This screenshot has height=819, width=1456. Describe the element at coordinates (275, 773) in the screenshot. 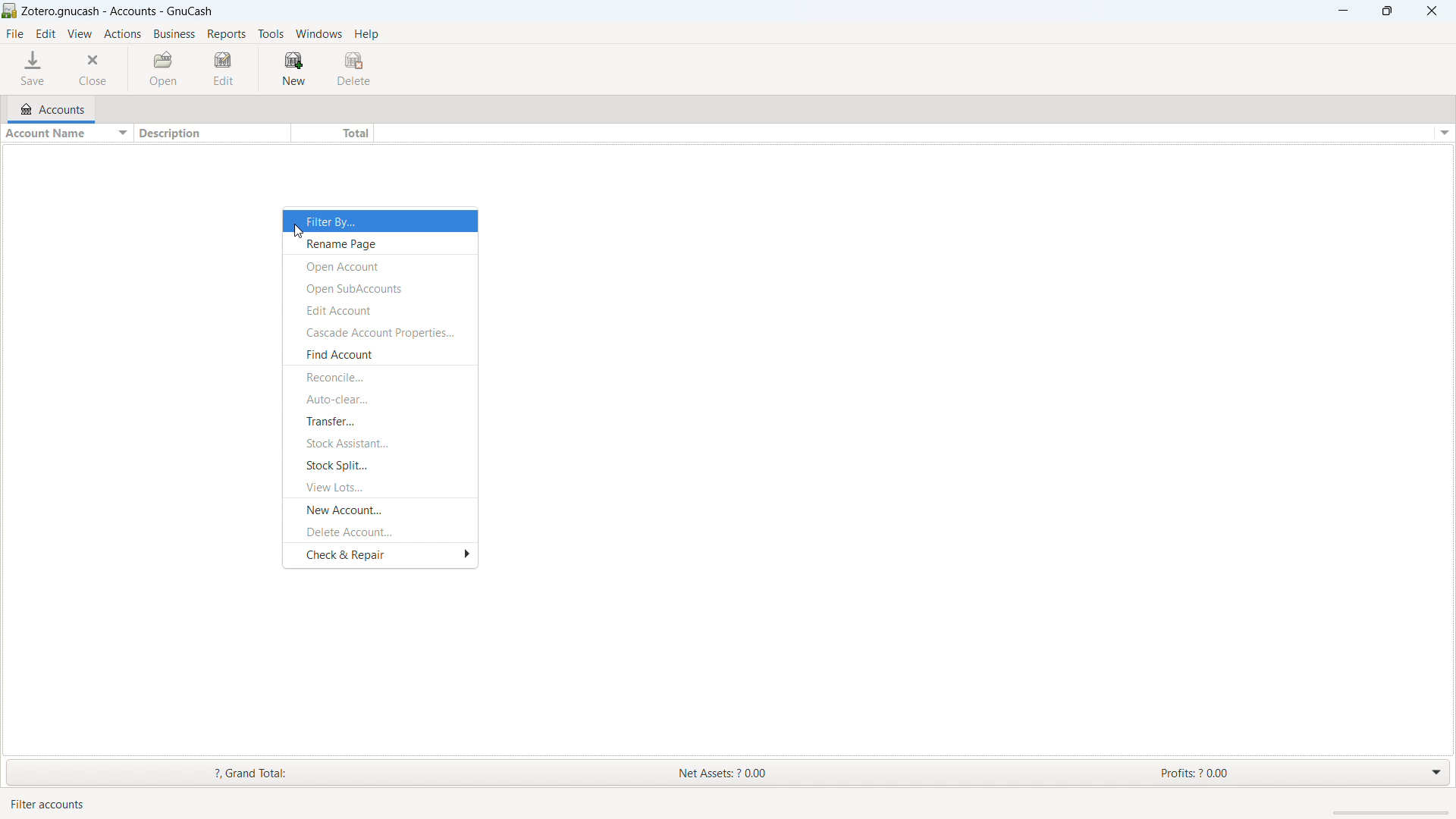

I see ` Grand Total:` at that location.